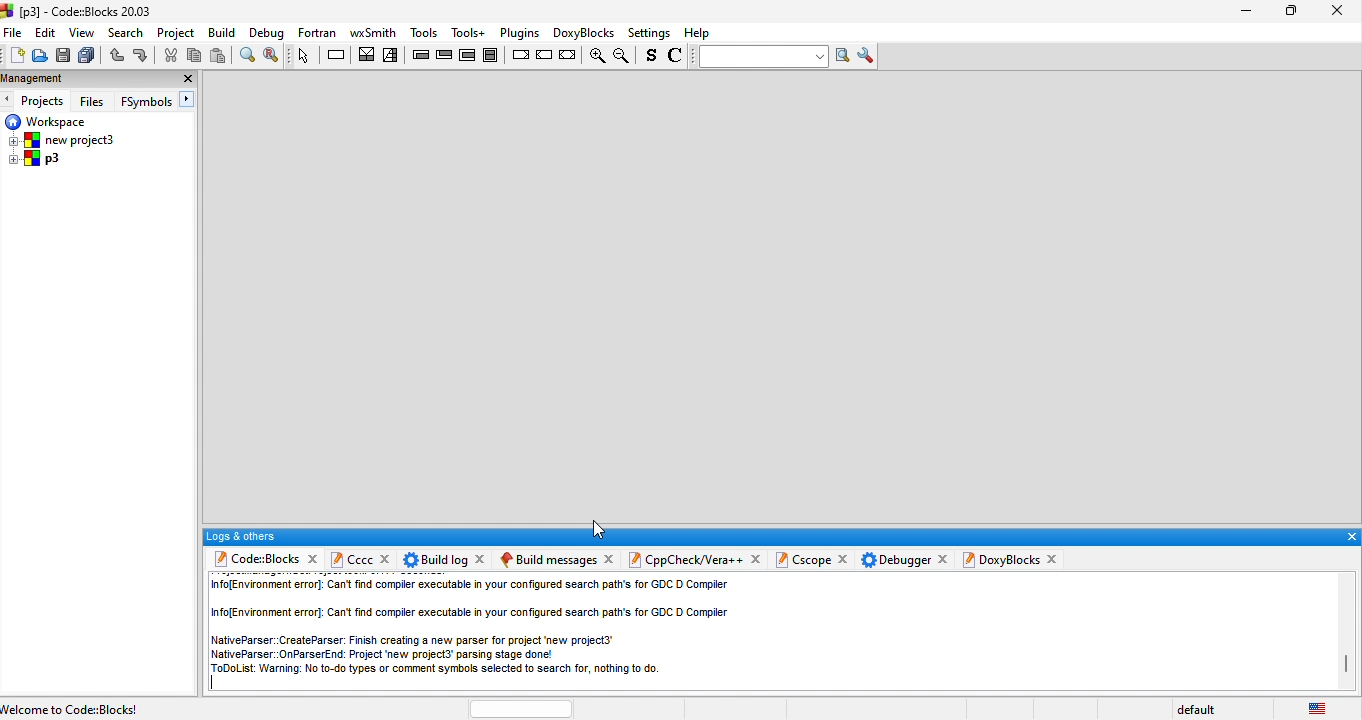 The height and width of the screenshot is (720, 1362). Describe the element at coordinates (569, 56) in the screenshot. I see `return instruction` at that location.